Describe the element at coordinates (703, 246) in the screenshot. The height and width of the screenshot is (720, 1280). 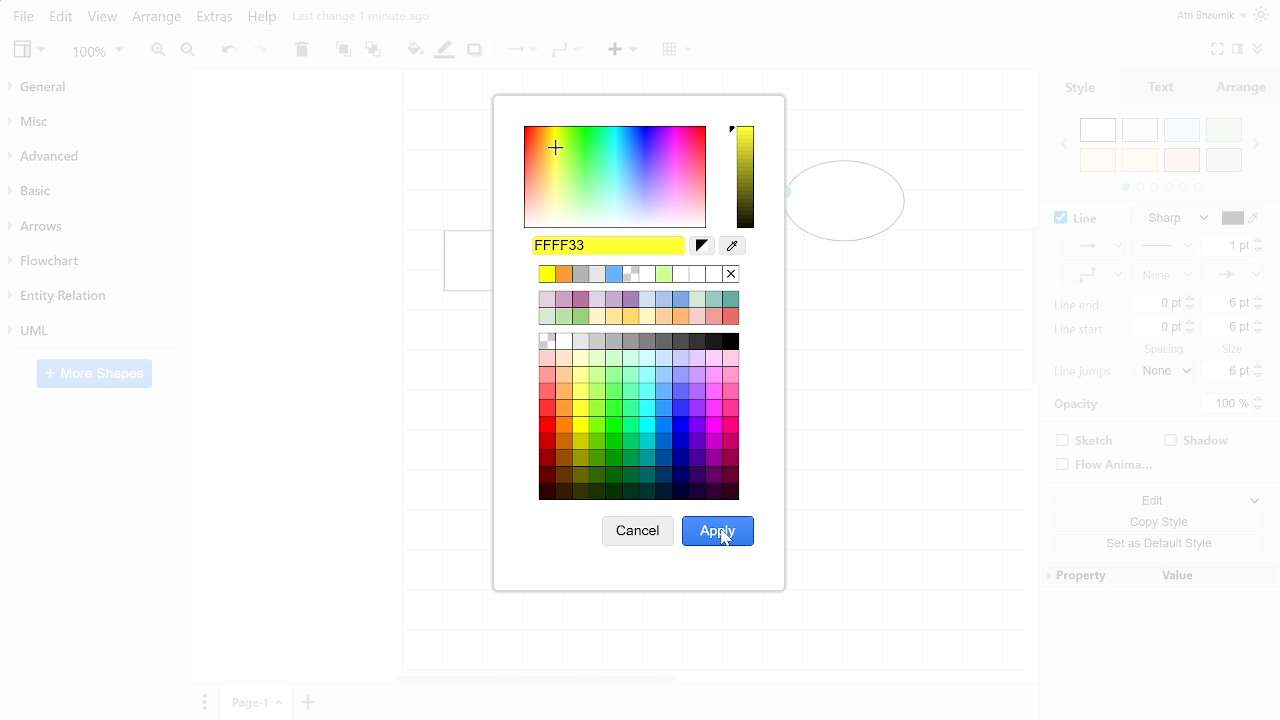
I see `Reset` at that location.